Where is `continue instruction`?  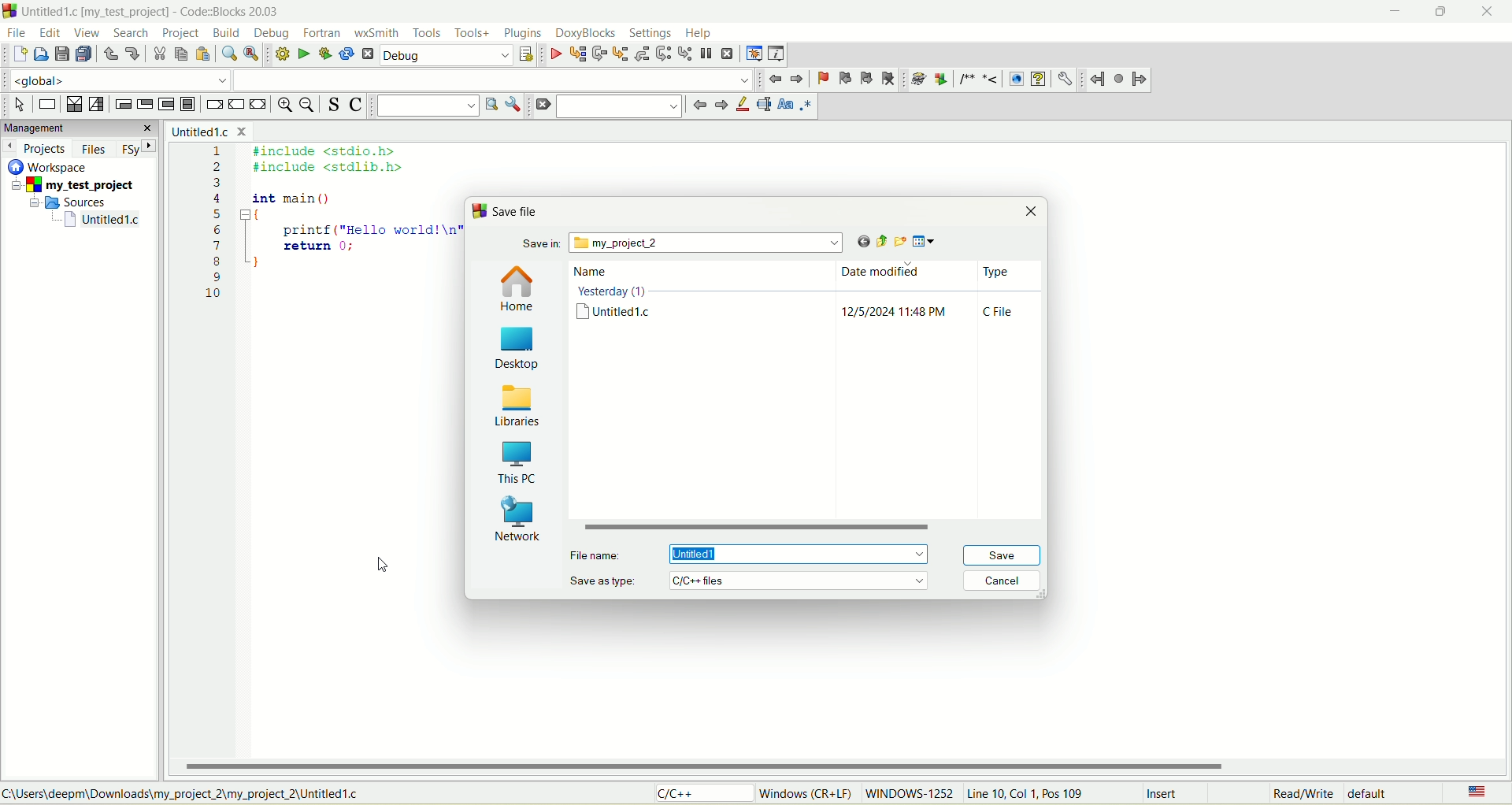 continue instruction is located at coordinates (235, 104).